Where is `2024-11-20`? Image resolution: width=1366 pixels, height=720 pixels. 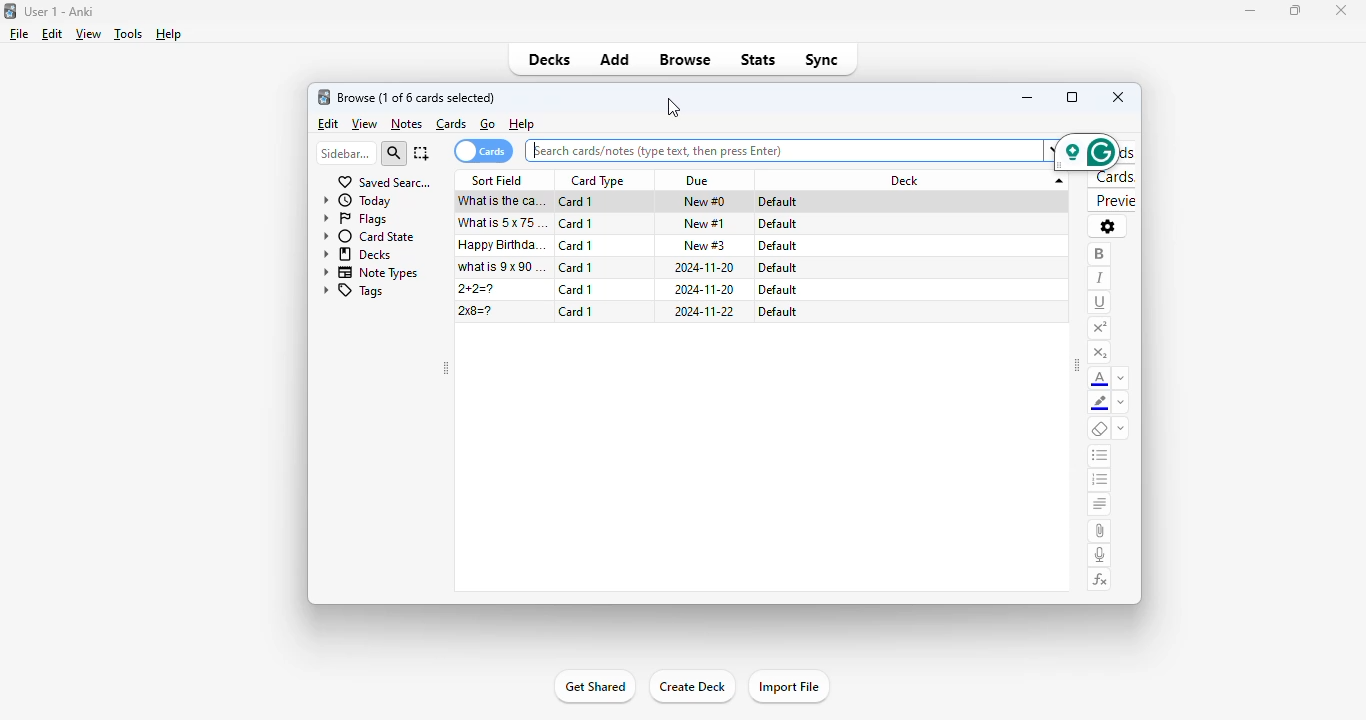
2024-11-20 is located at coordinates (705, 267).